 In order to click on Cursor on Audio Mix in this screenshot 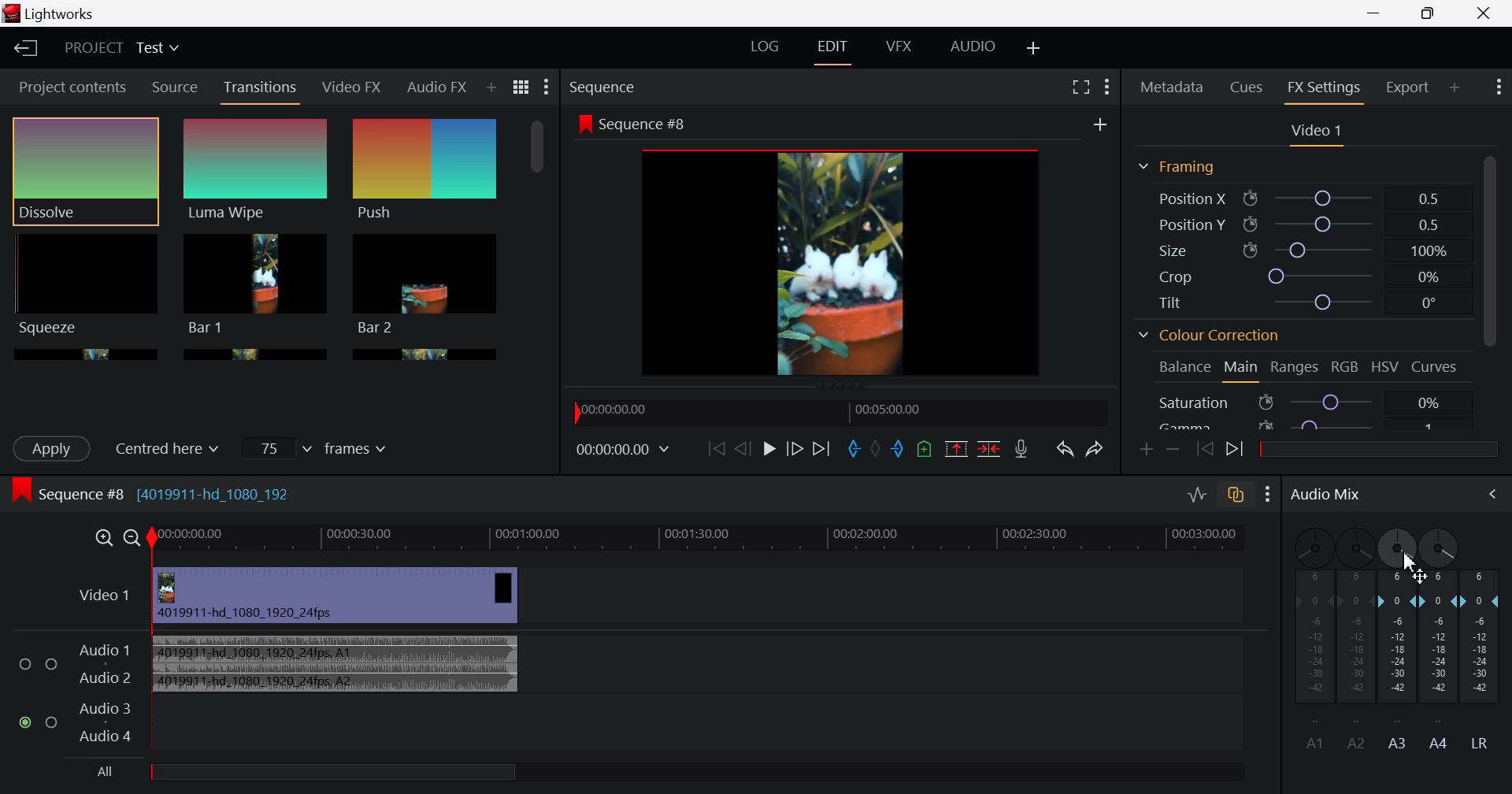, I will do `click(1484, 495)`.